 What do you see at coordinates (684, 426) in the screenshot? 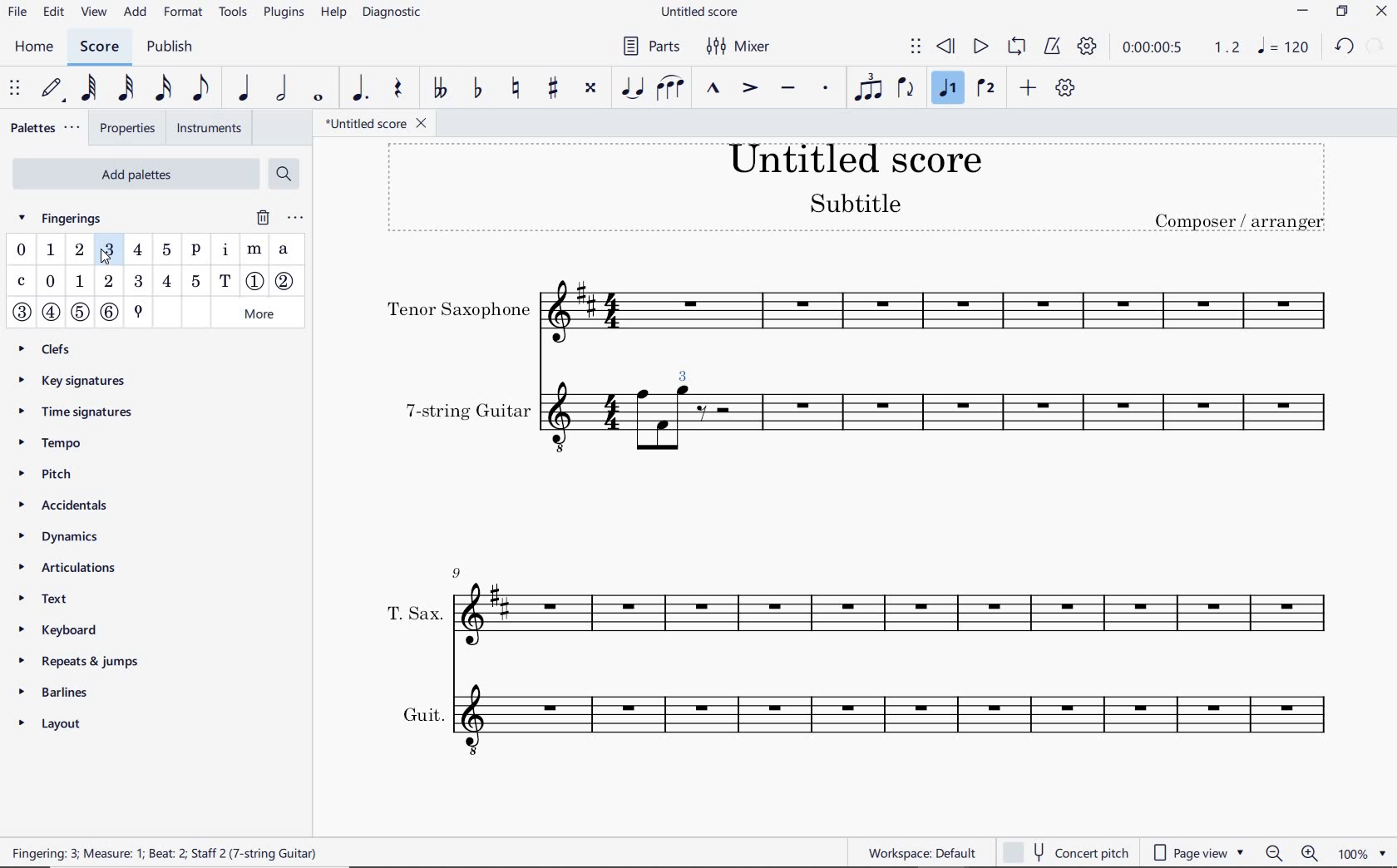
I see `` at bounding box center [684, 426].